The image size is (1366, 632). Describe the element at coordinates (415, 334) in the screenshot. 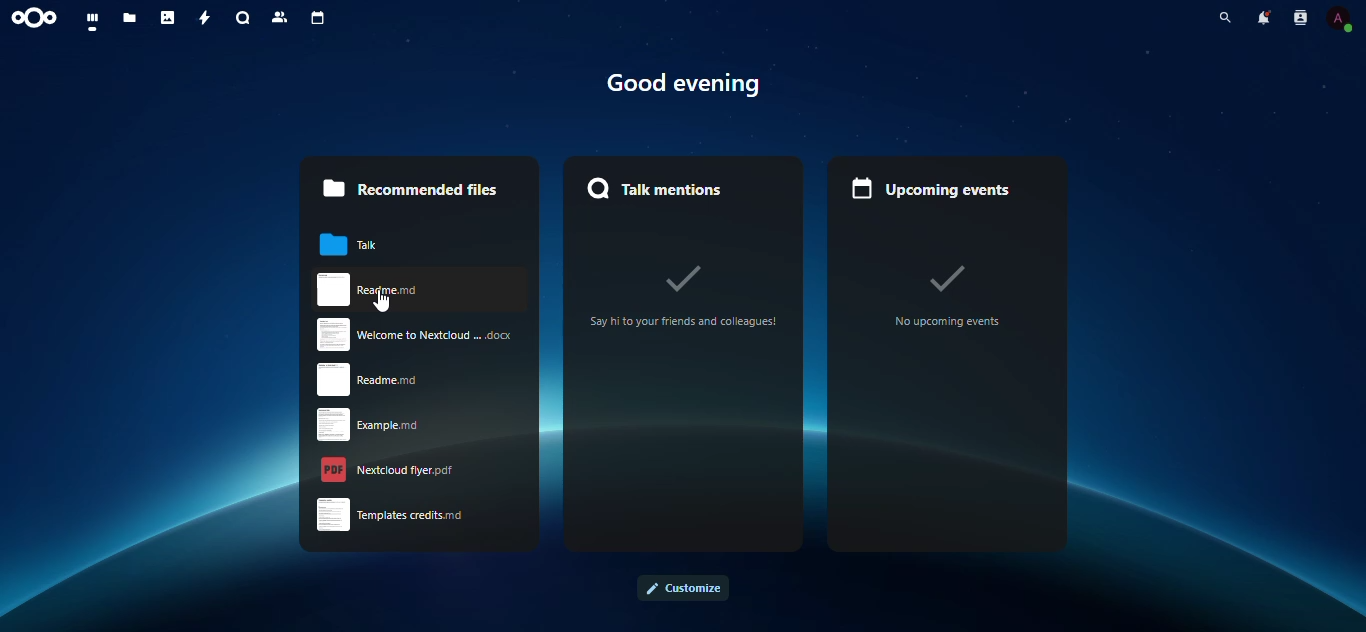

I see `‘Welcome to Nextdoud ... docx` at that location.